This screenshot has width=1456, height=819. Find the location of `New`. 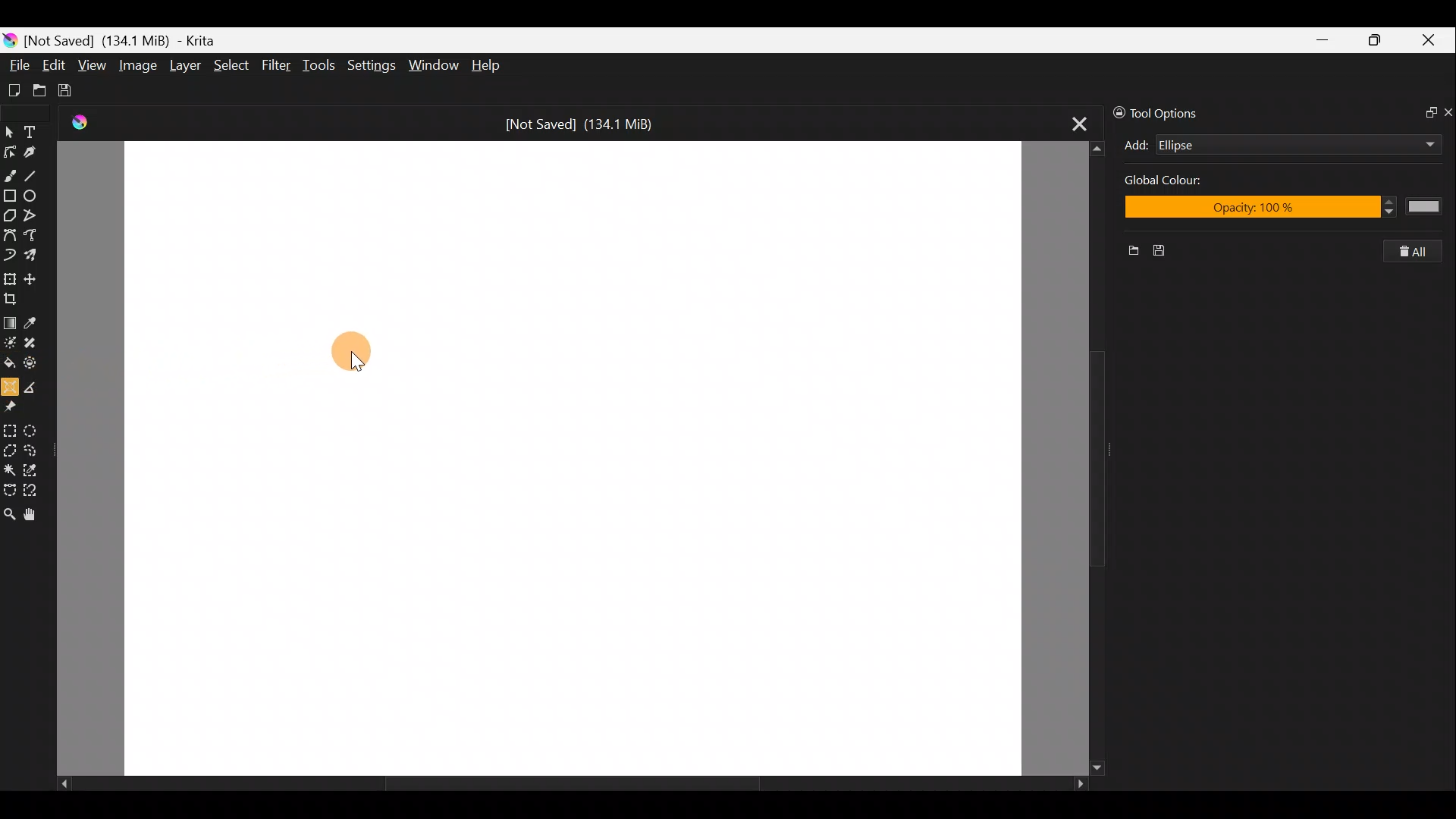

New is located at coordinates (1128, 253).